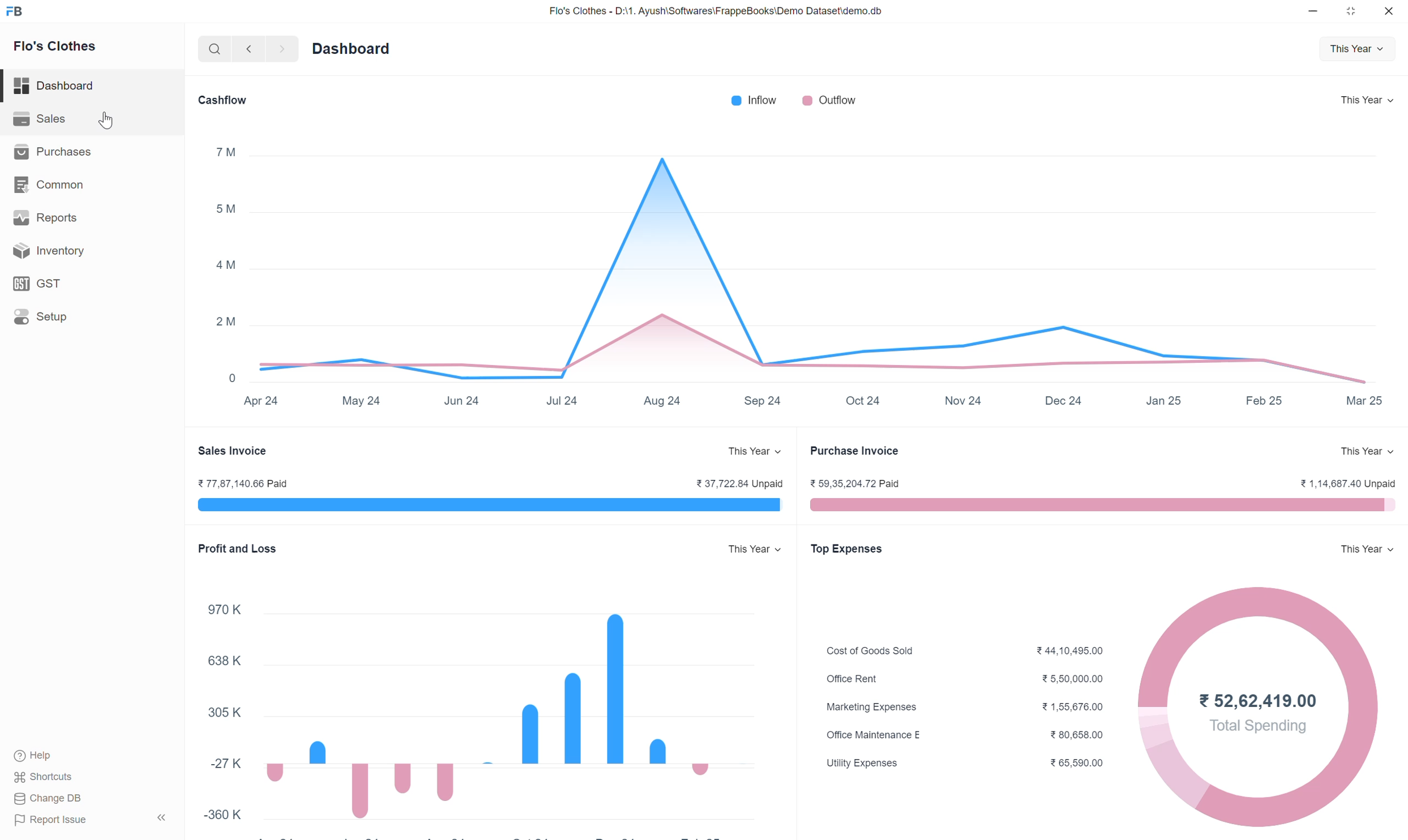 This screenshot has height=840, width=1408. What do you see at coordinates (1337, 482) in the screenshot?
I see `Rs. 1,14,687.40 Unpaid` at bounding box center [1337, 482].